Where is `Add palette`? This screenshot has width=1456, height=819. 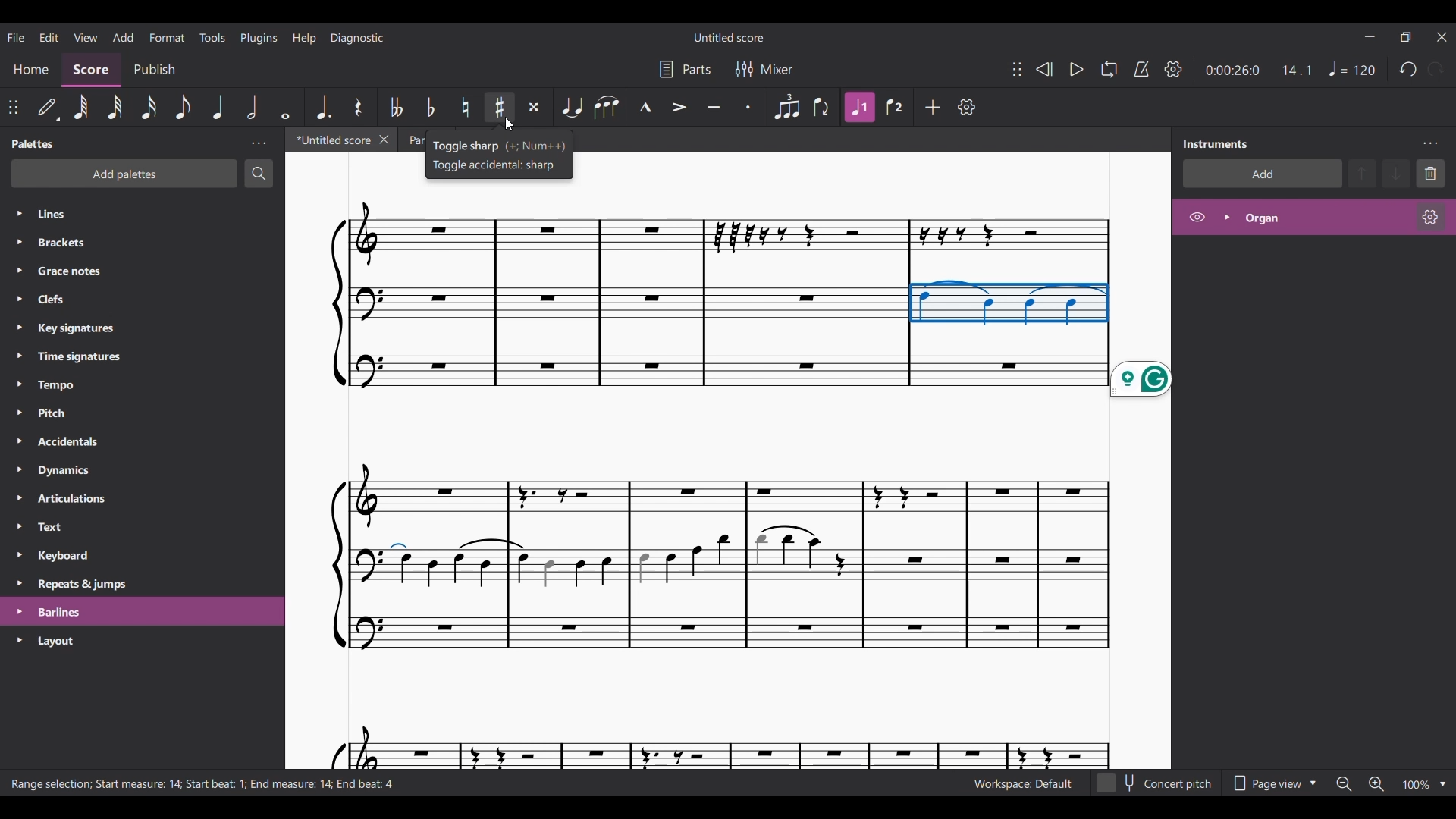
Add palette is located at coordinates (124, 174).